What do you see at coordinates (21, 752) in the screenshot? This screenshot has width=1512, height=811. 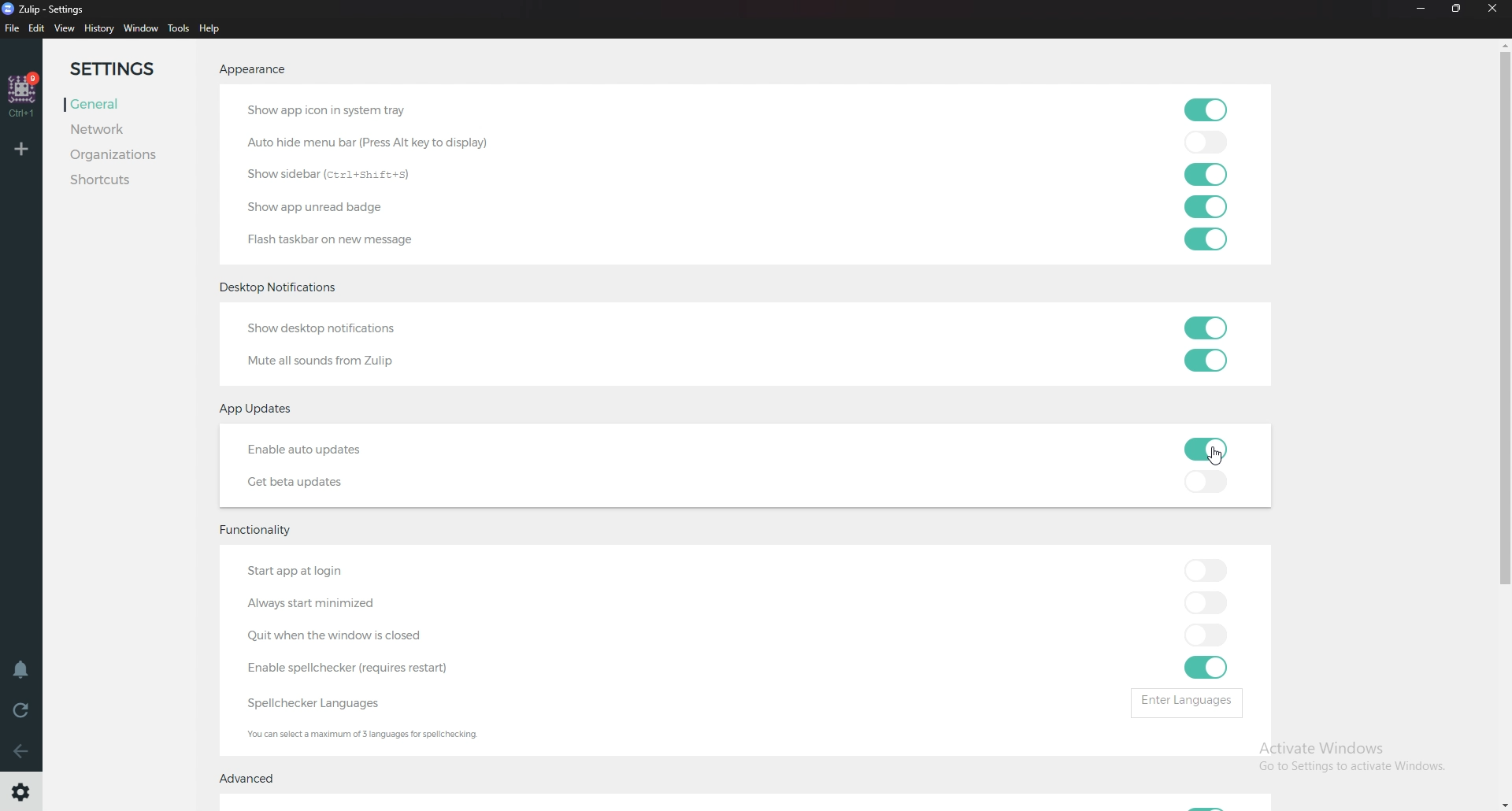 I see `back` at bounding box center [21, 752].